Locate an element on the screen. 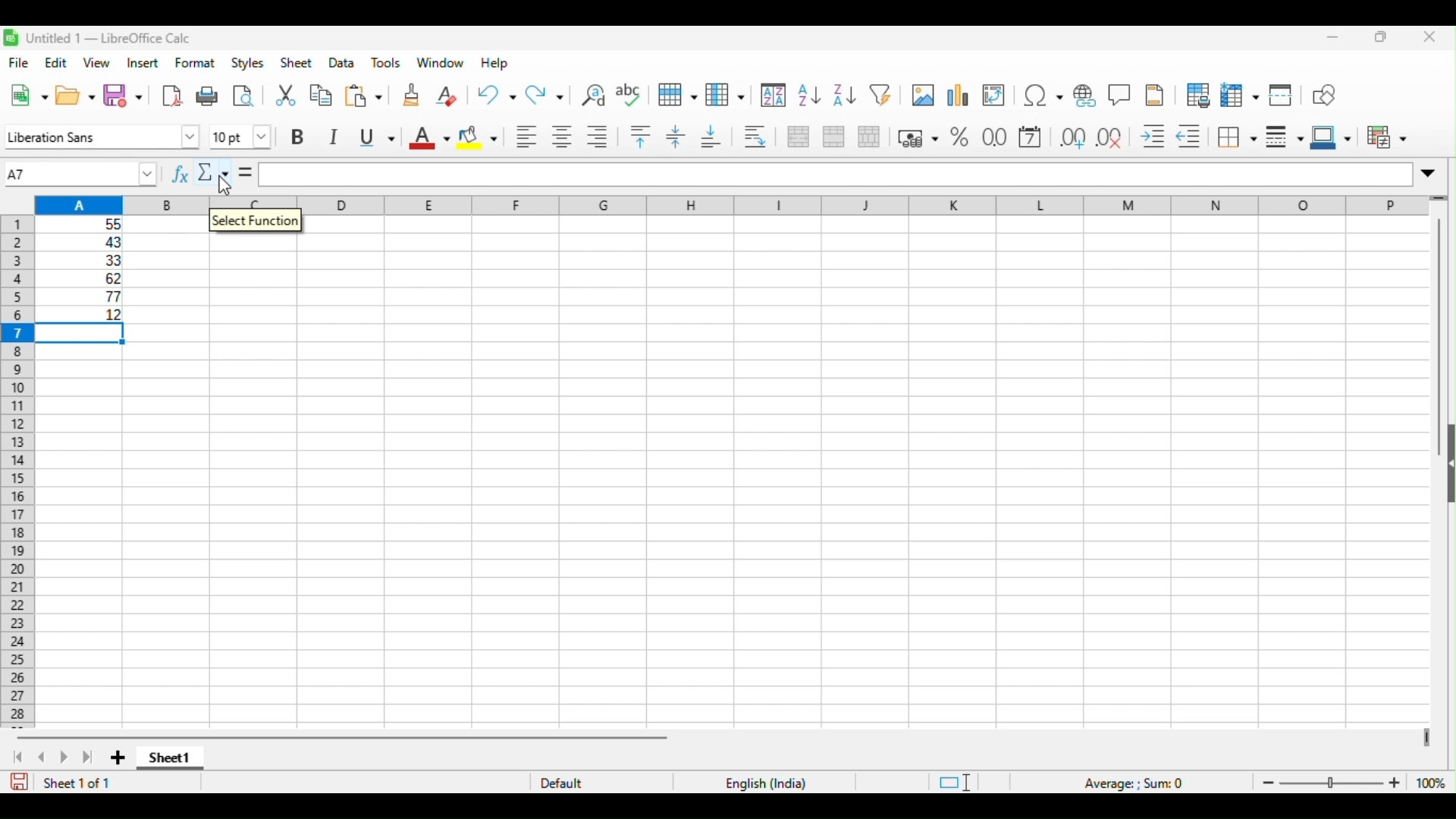 Image resolution: width=1456 pixels, height=819 pixels. save is located at coordinates (123, 96).